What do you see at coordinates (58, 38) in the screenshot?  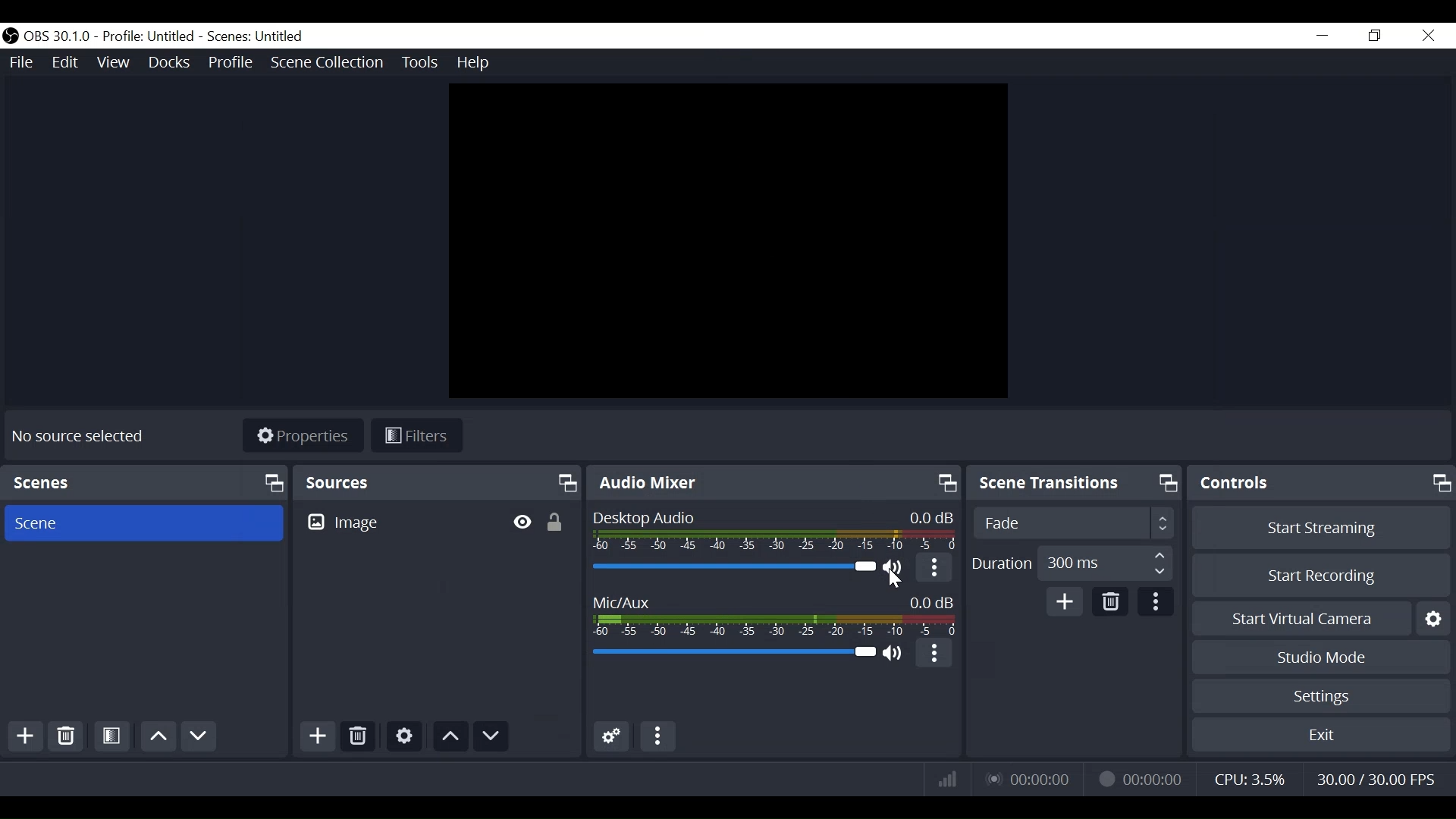 I see `OBS Version` at bounding box center [58, 38].